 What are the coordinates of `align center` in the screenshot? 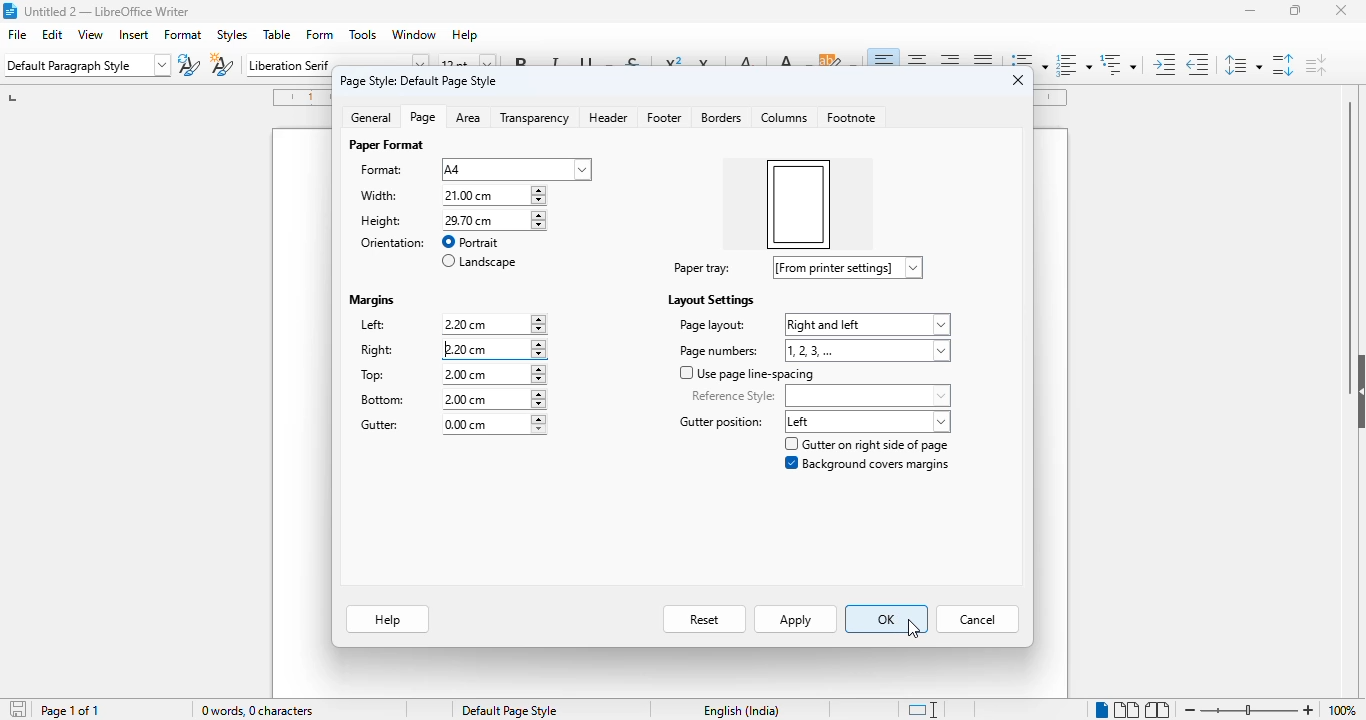 It's located at (918, 59).